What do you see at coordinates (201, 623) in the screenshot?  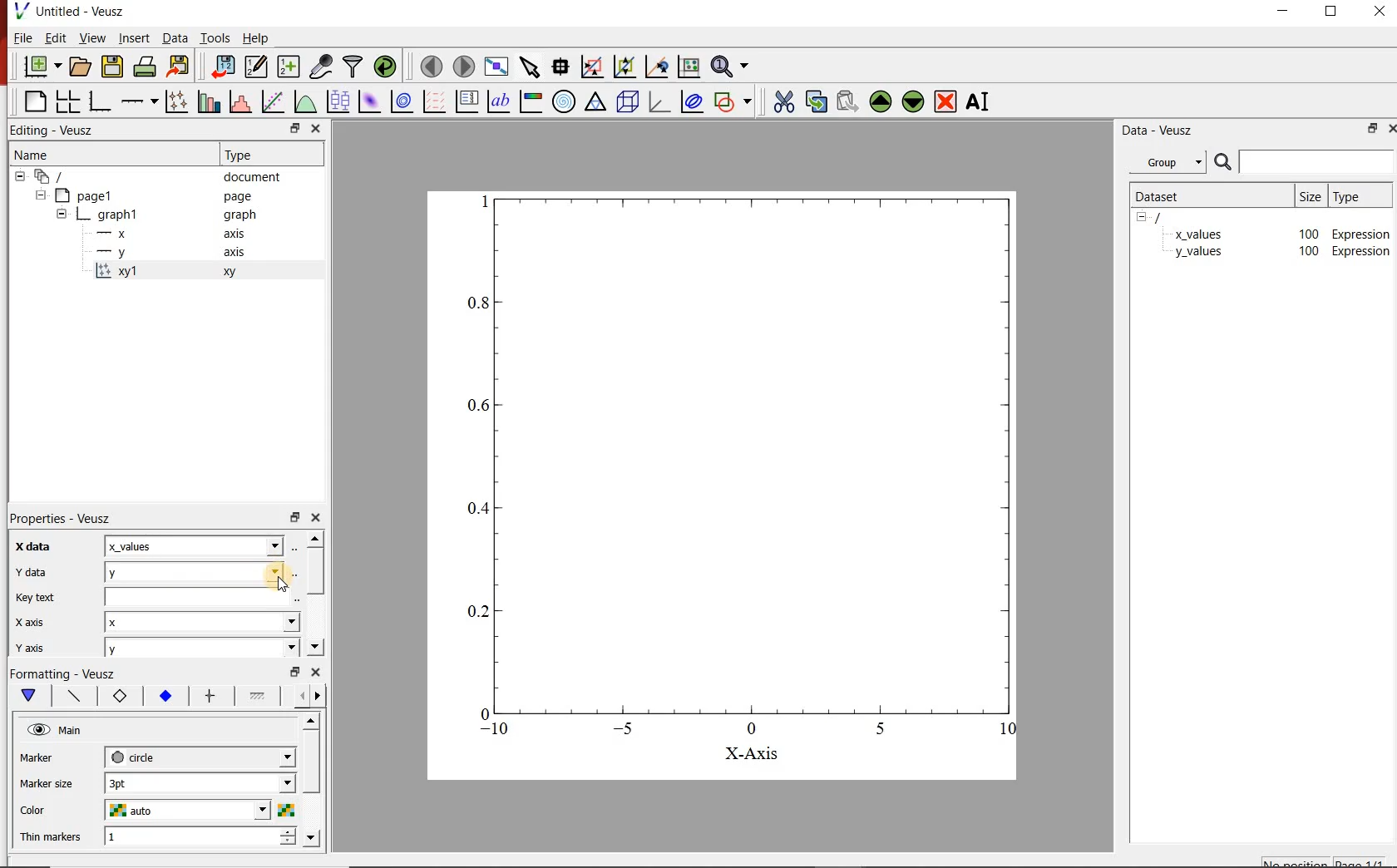 I see `x` at bounding box center [201, 623].